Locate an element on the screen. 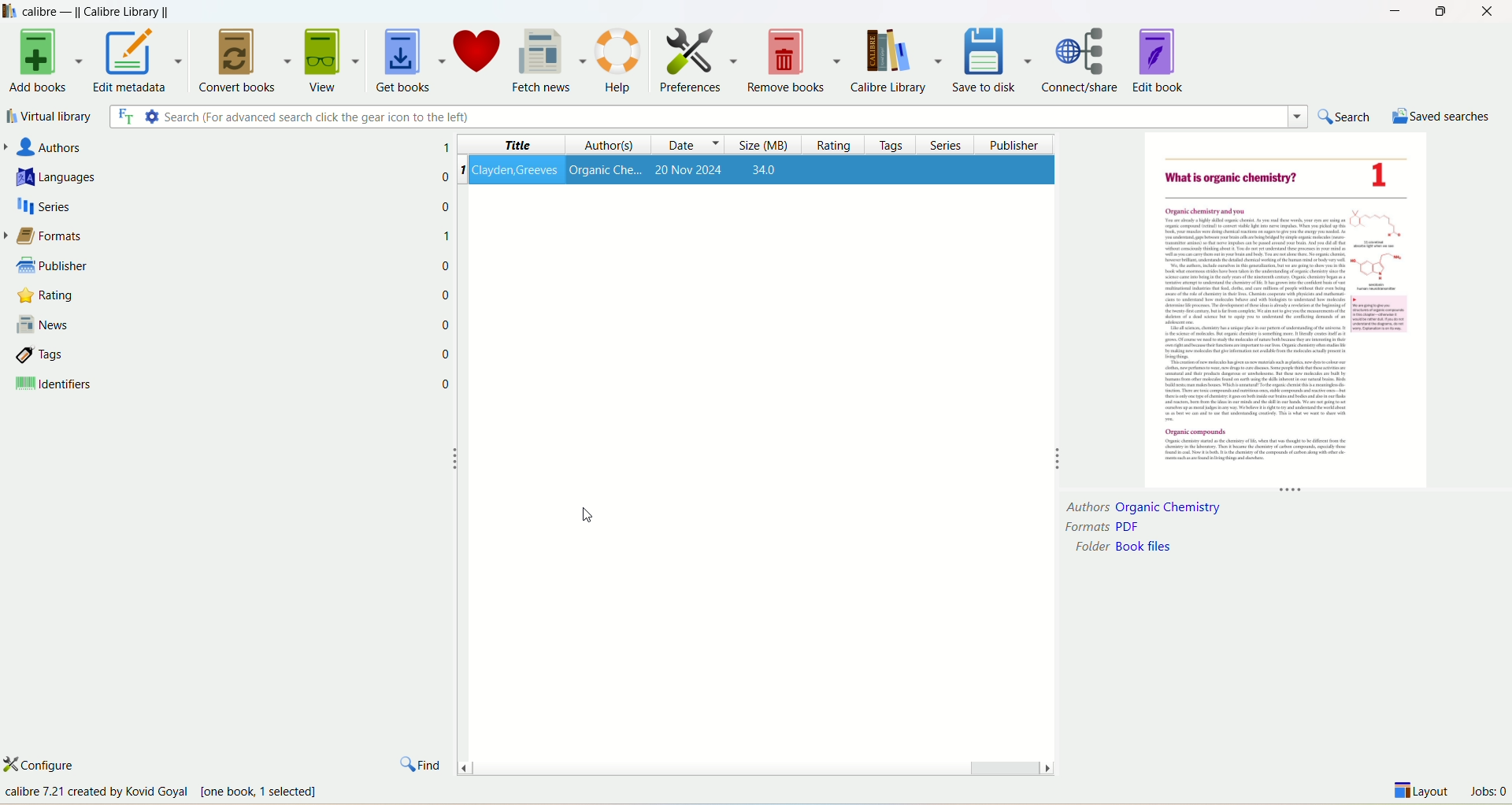 The image size is (1512, 805). book page is located at coordinates (1291, 313).